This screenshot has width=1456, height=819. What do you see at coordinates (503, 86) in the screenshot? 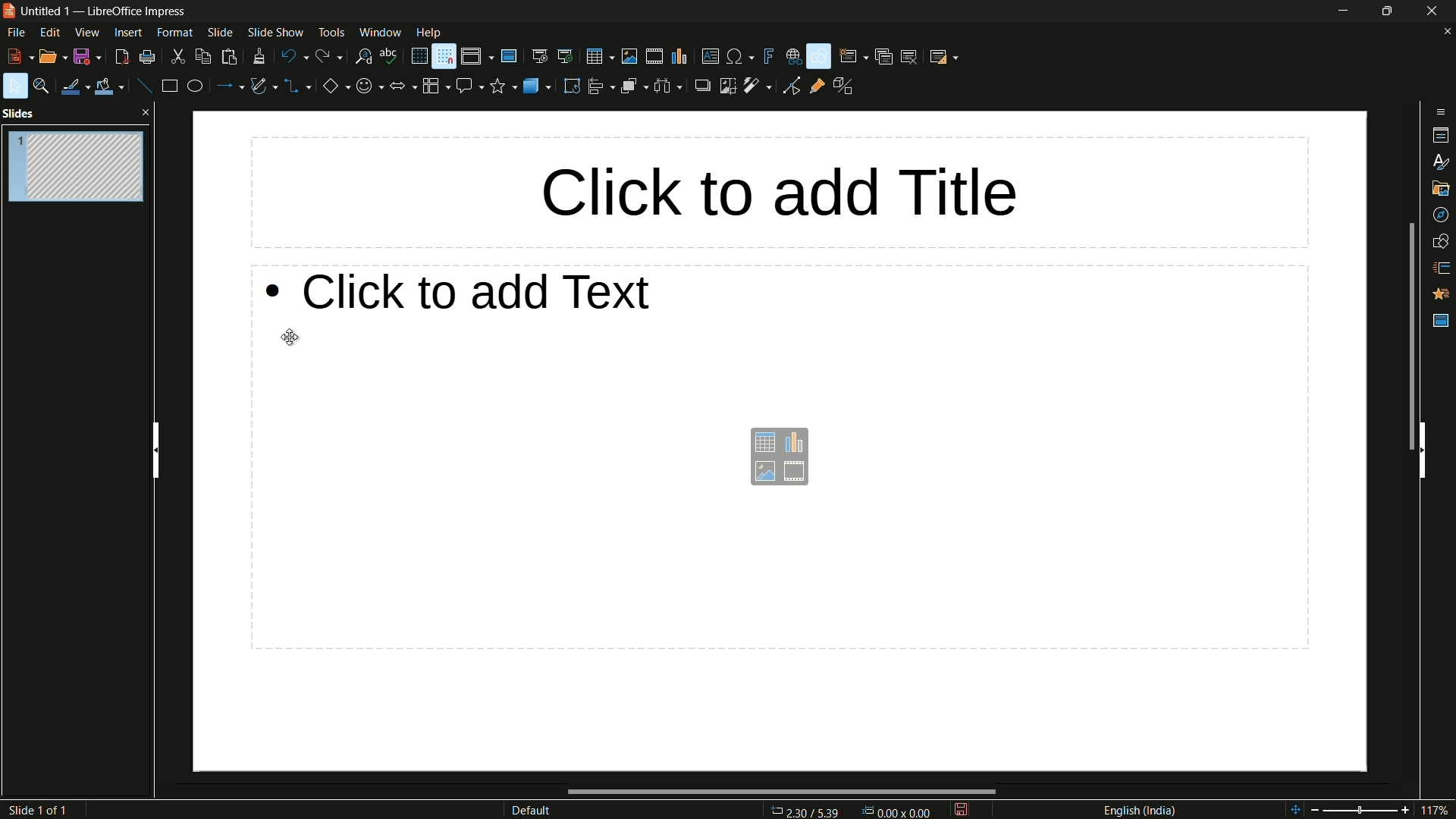
I see `stars and banners` at bounding box center [503, 86].